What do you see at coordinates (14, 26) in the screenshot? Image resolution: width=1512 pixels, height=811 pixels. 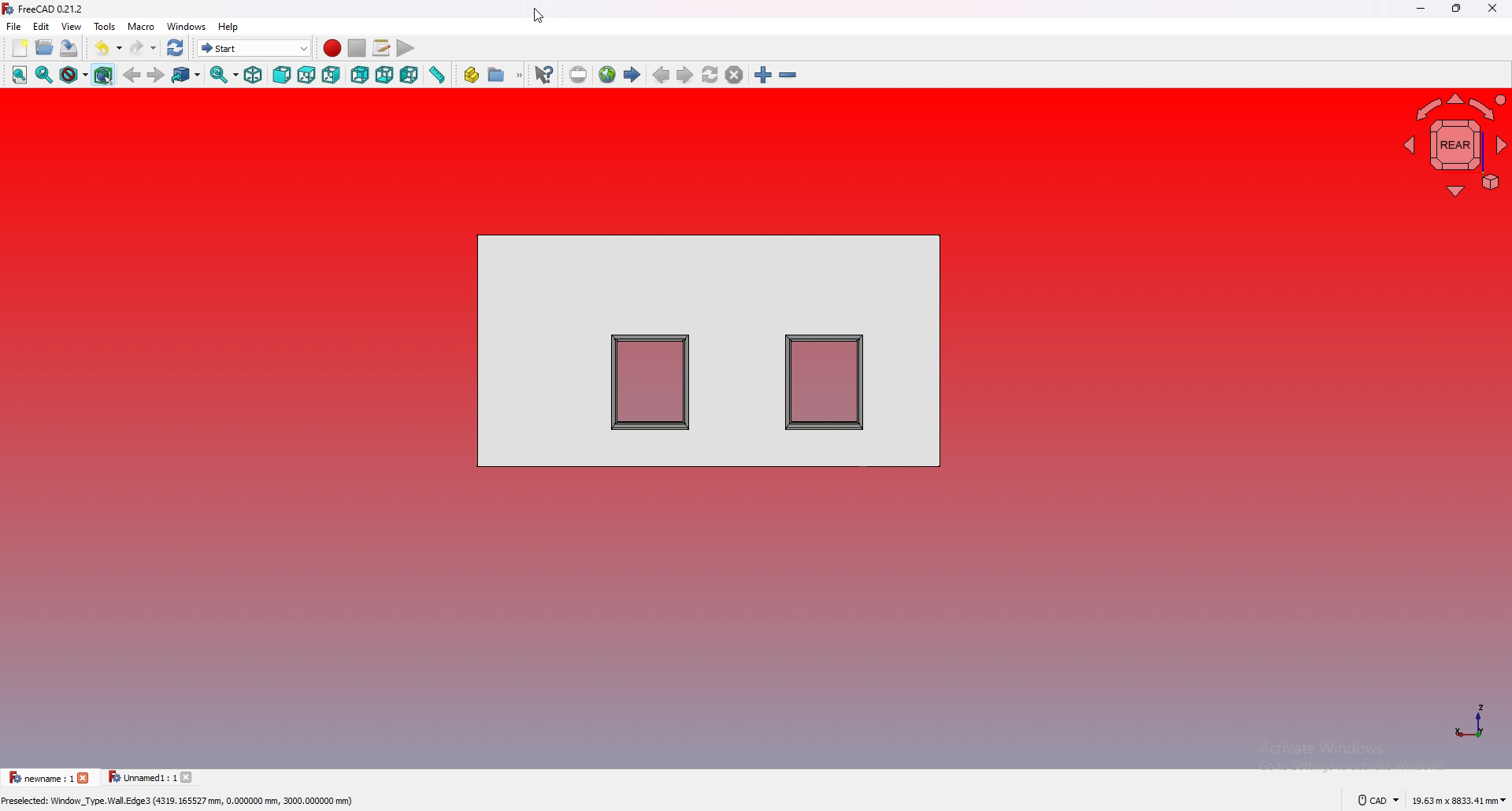 I see `file` at bounding box center [14, 26].